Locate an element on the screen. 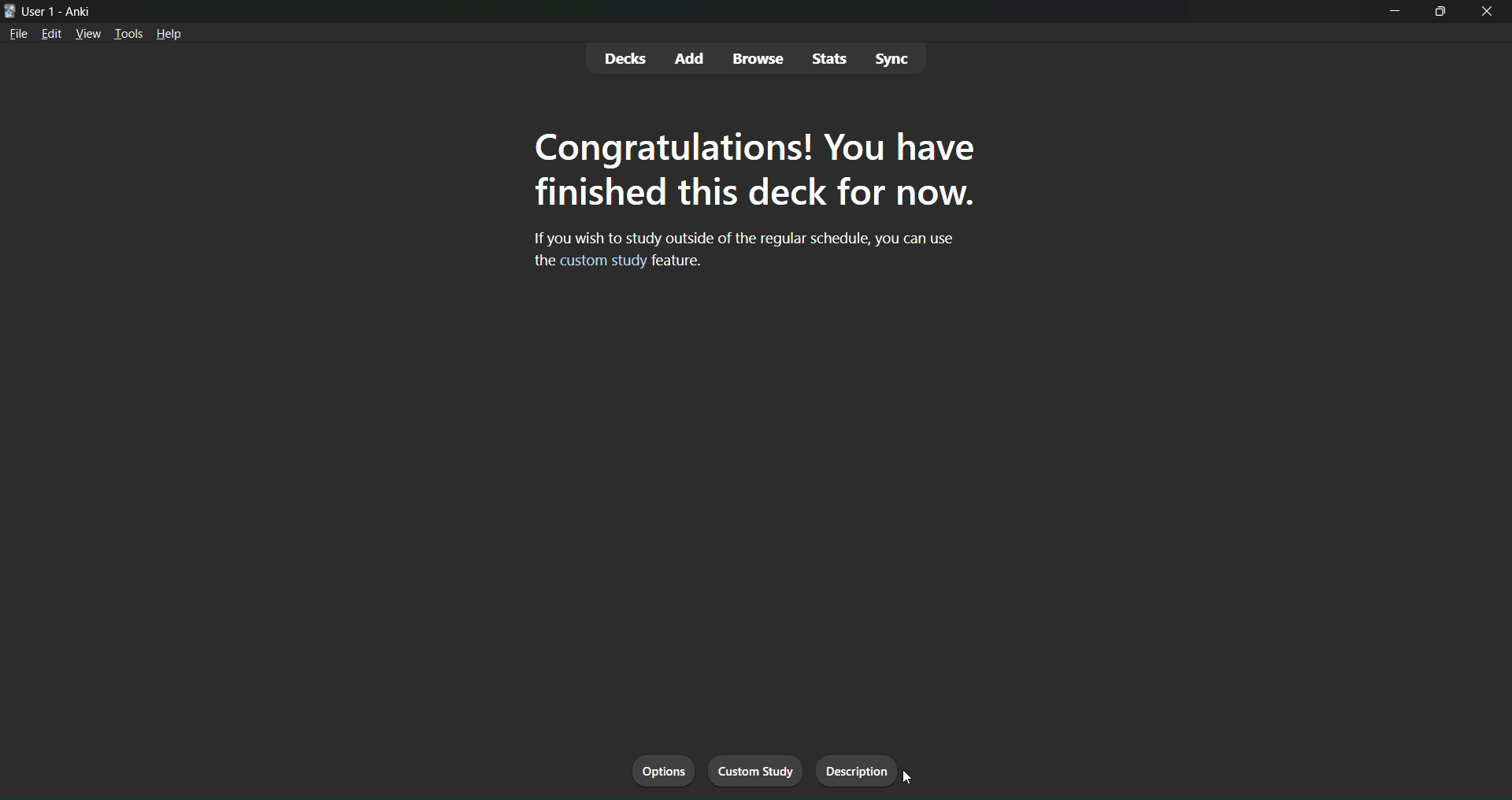  custom study is located at coordinates (755, 768).